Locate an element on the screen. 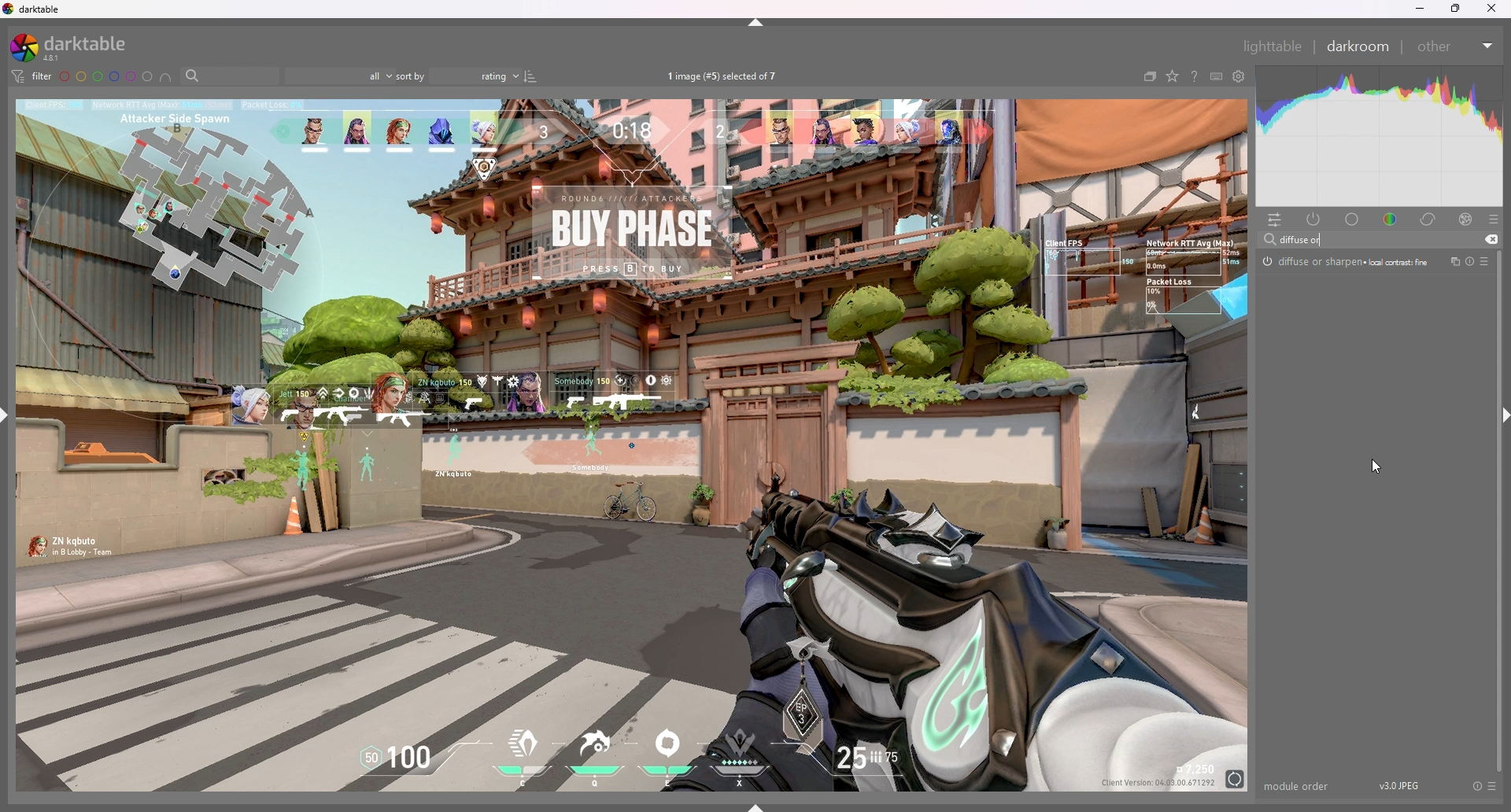 This screenshot has width=1511, height=812. version is located at coordinates (1403, 785).